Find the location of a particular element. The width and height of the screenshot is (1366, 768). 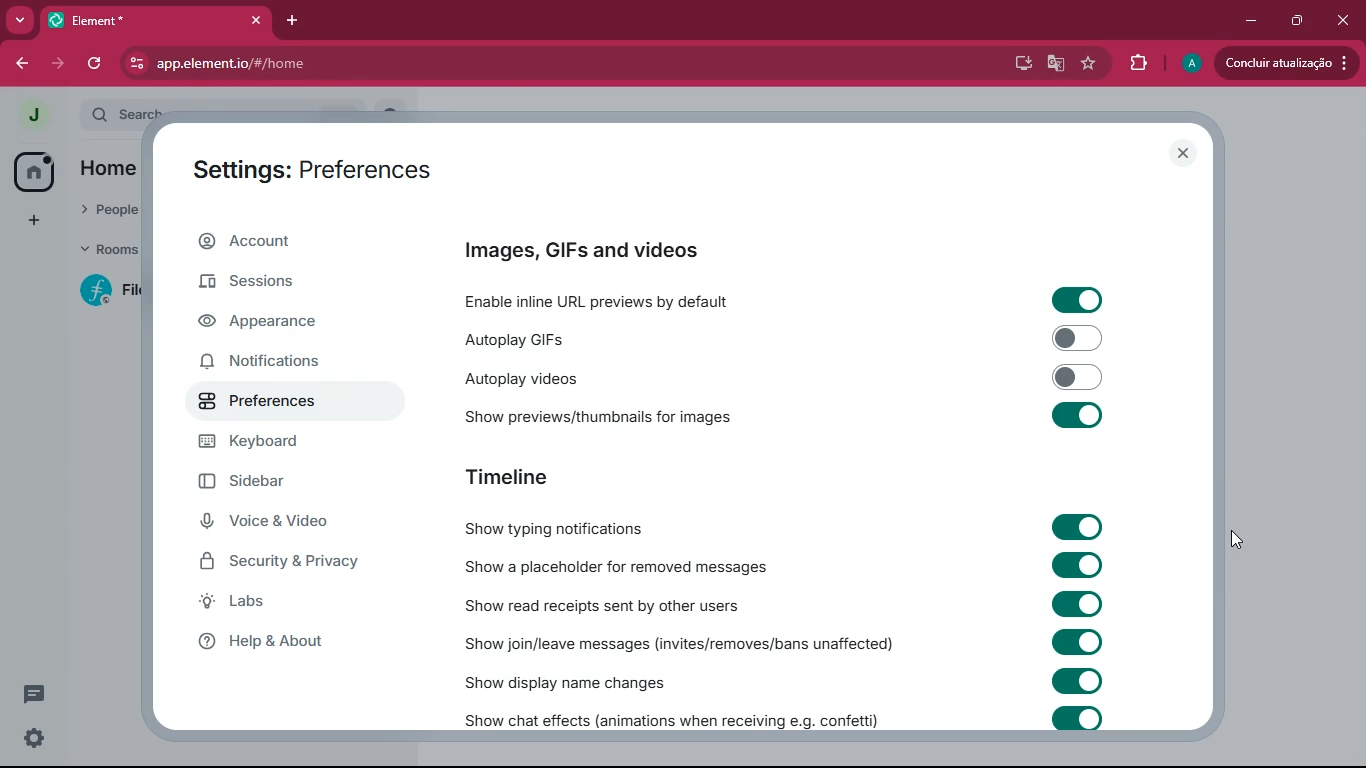

autoplay videos is located at coordinates (595, 379).